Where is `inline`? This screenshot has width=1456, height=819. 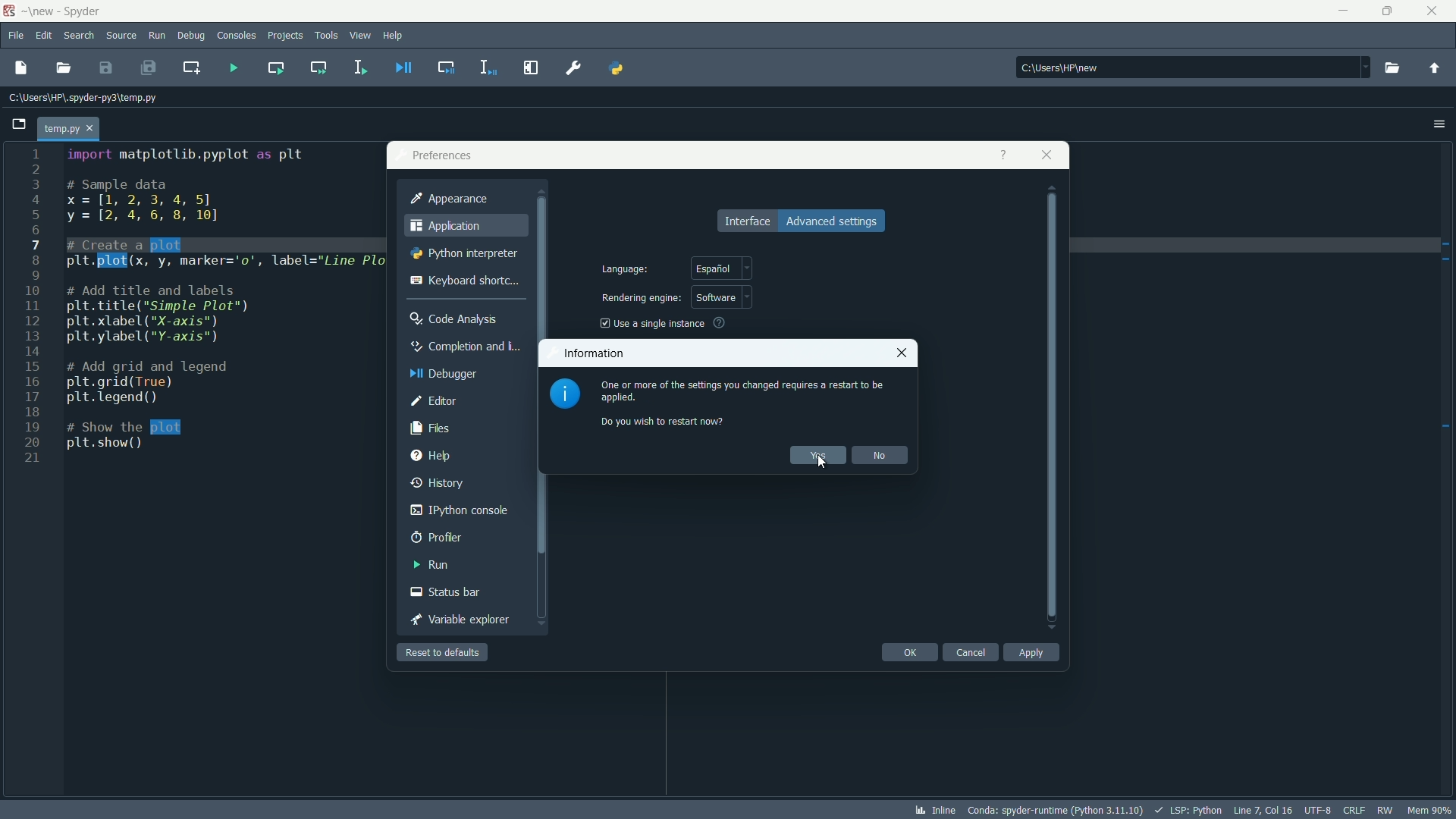
inline is located at coordinates (937, 811).